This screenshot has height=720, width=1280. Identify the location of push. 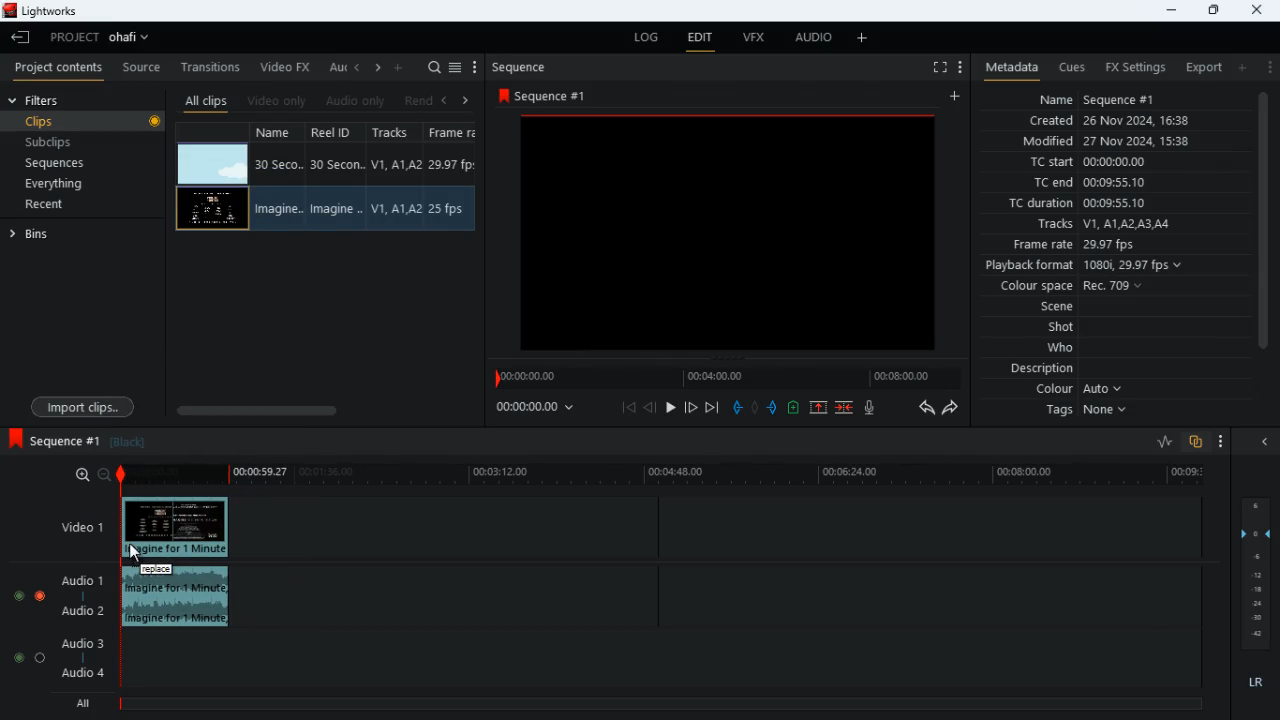
(774, 409).